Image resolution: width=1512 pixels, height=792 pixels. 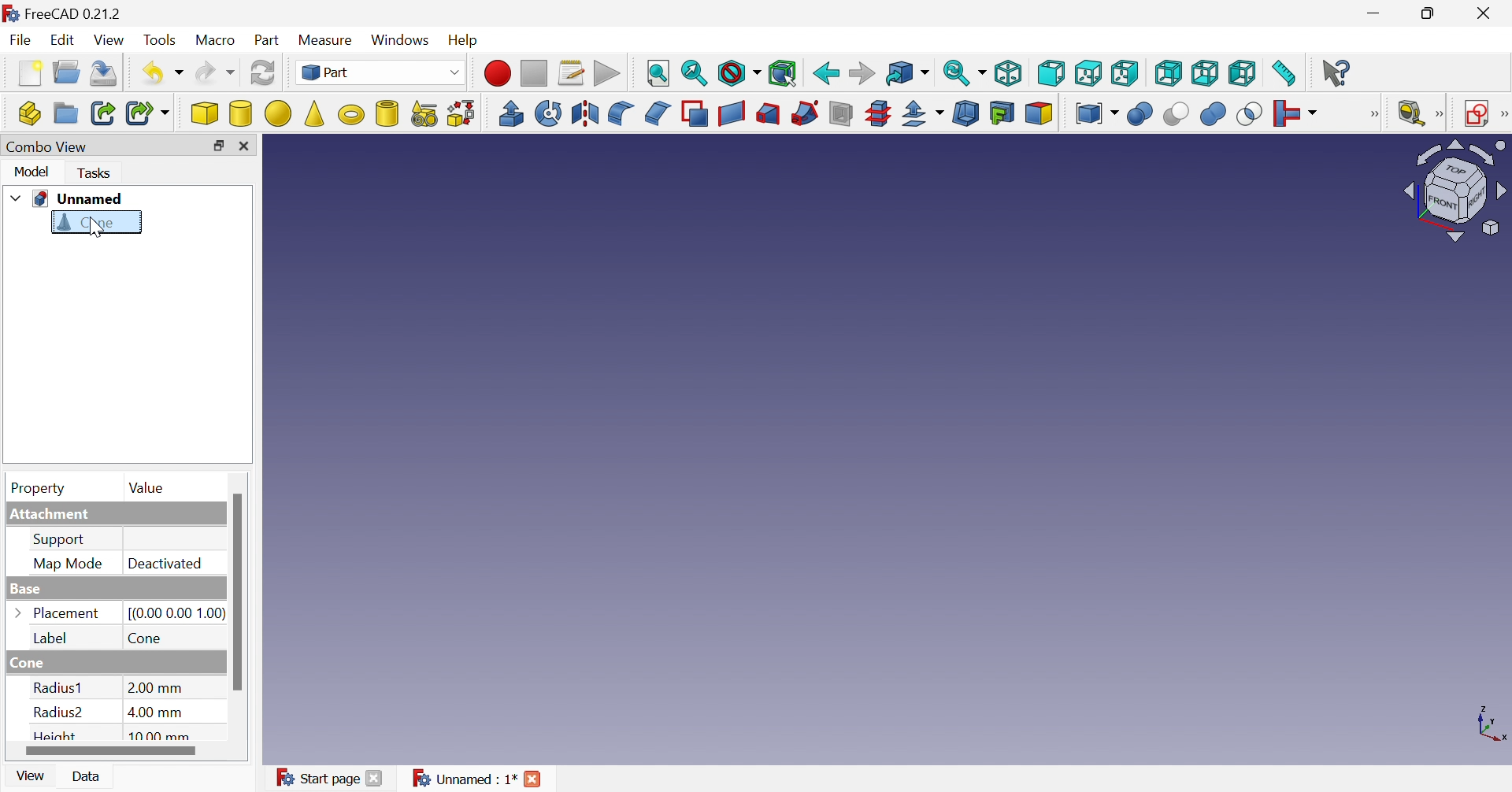 I want to click on Boolean, so click(x=1141, y=116).